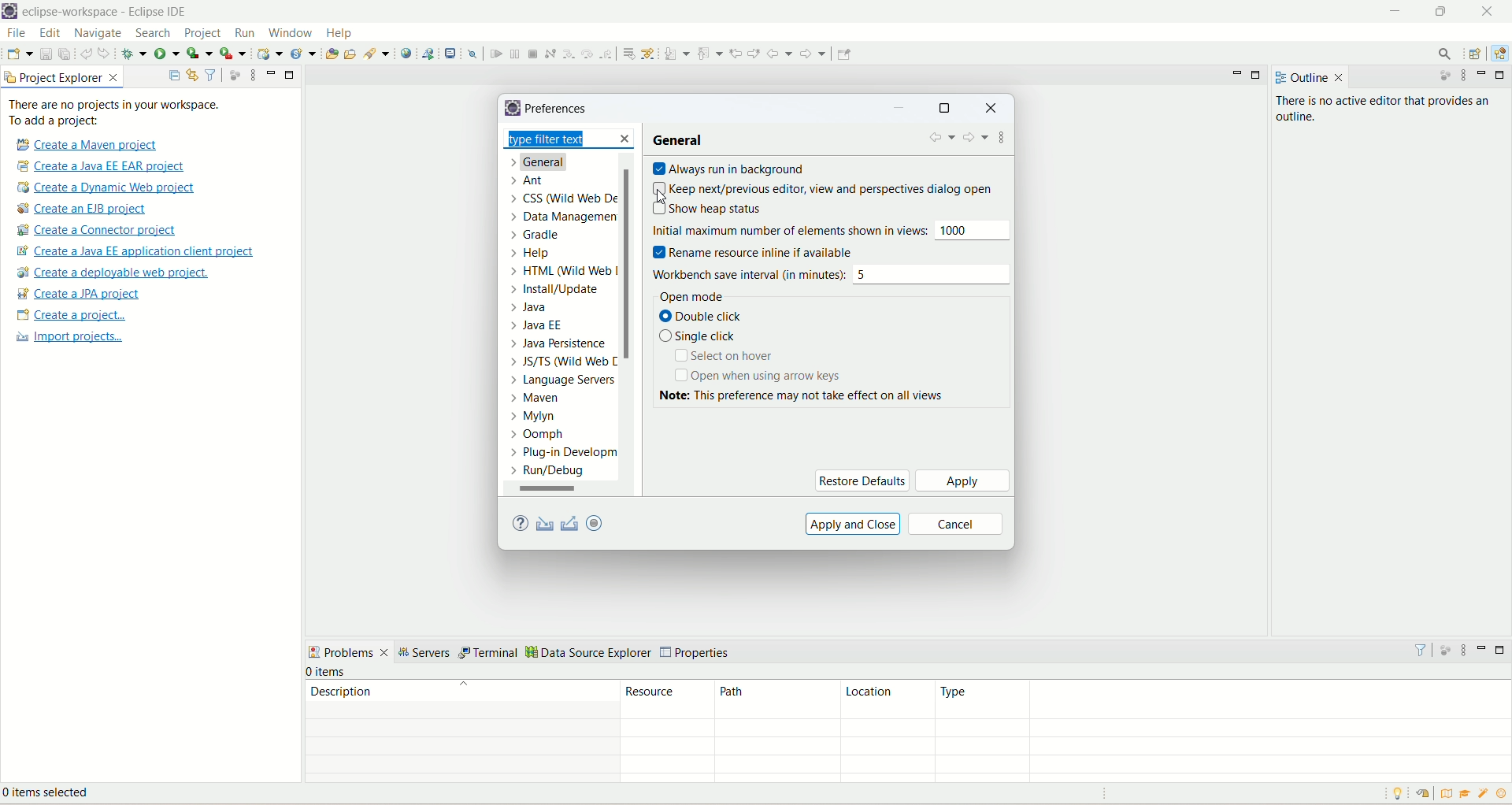 The width and height of the screenshot is (1512, 805). Describe the element at coordinates (46, 53) in the screenshot. I see `save` at that location.